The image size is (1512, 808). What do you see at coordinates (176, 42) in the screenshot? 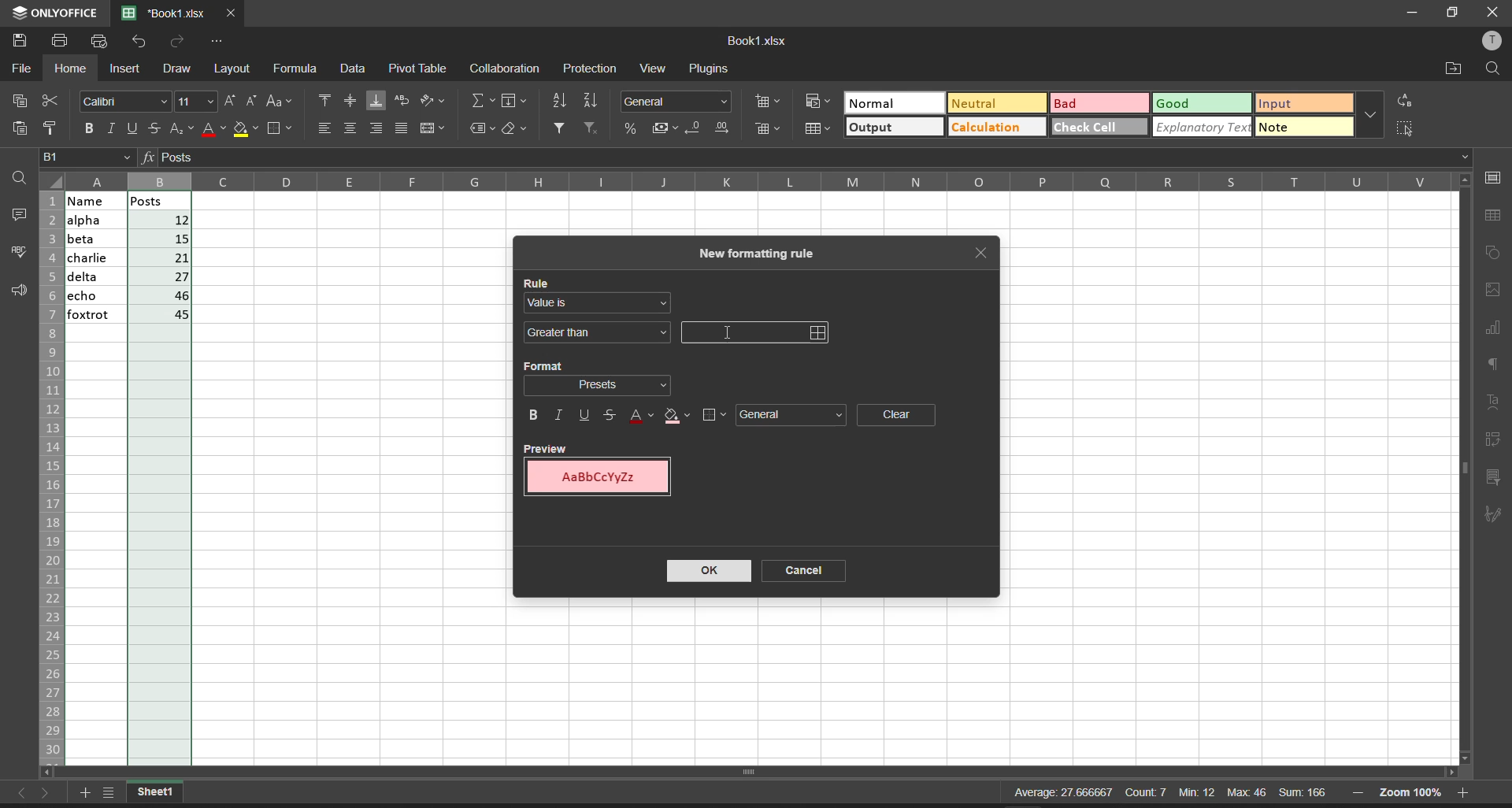
I see `redo` at bounding box center [176, 42].